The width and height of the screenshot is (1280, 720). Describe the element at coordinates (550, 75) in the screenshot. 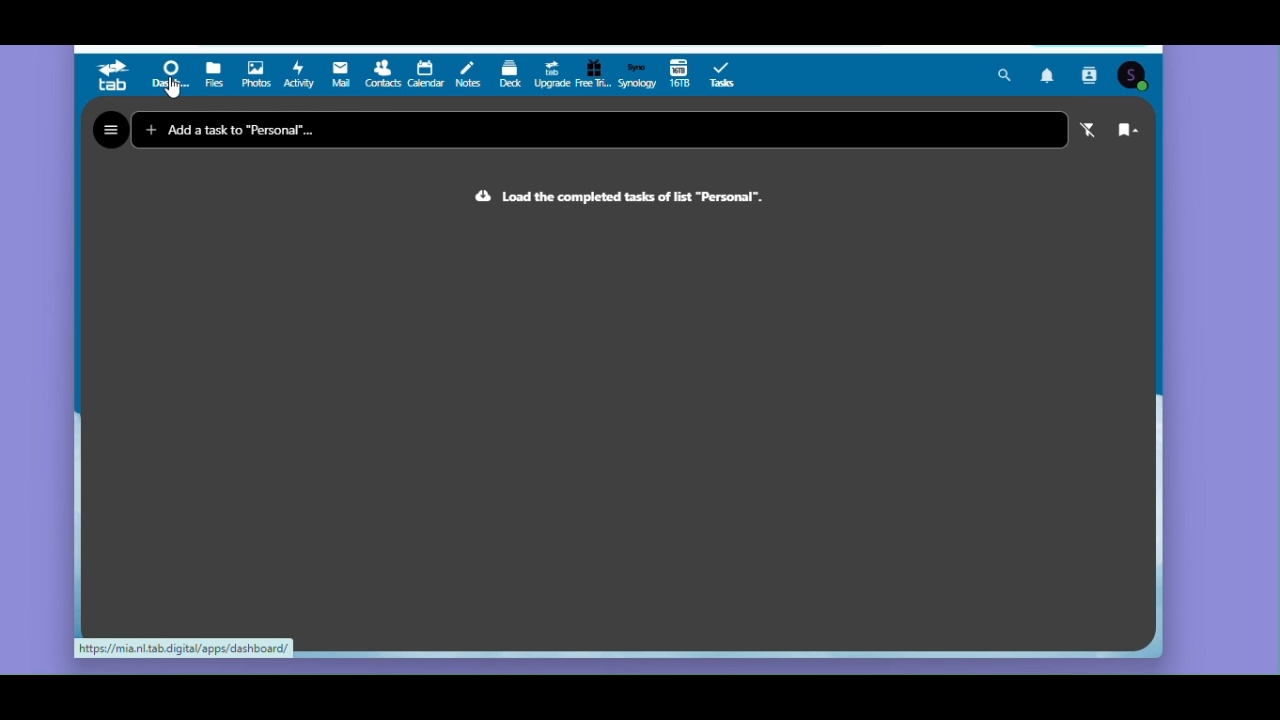

I see `Upgrade` at that location.